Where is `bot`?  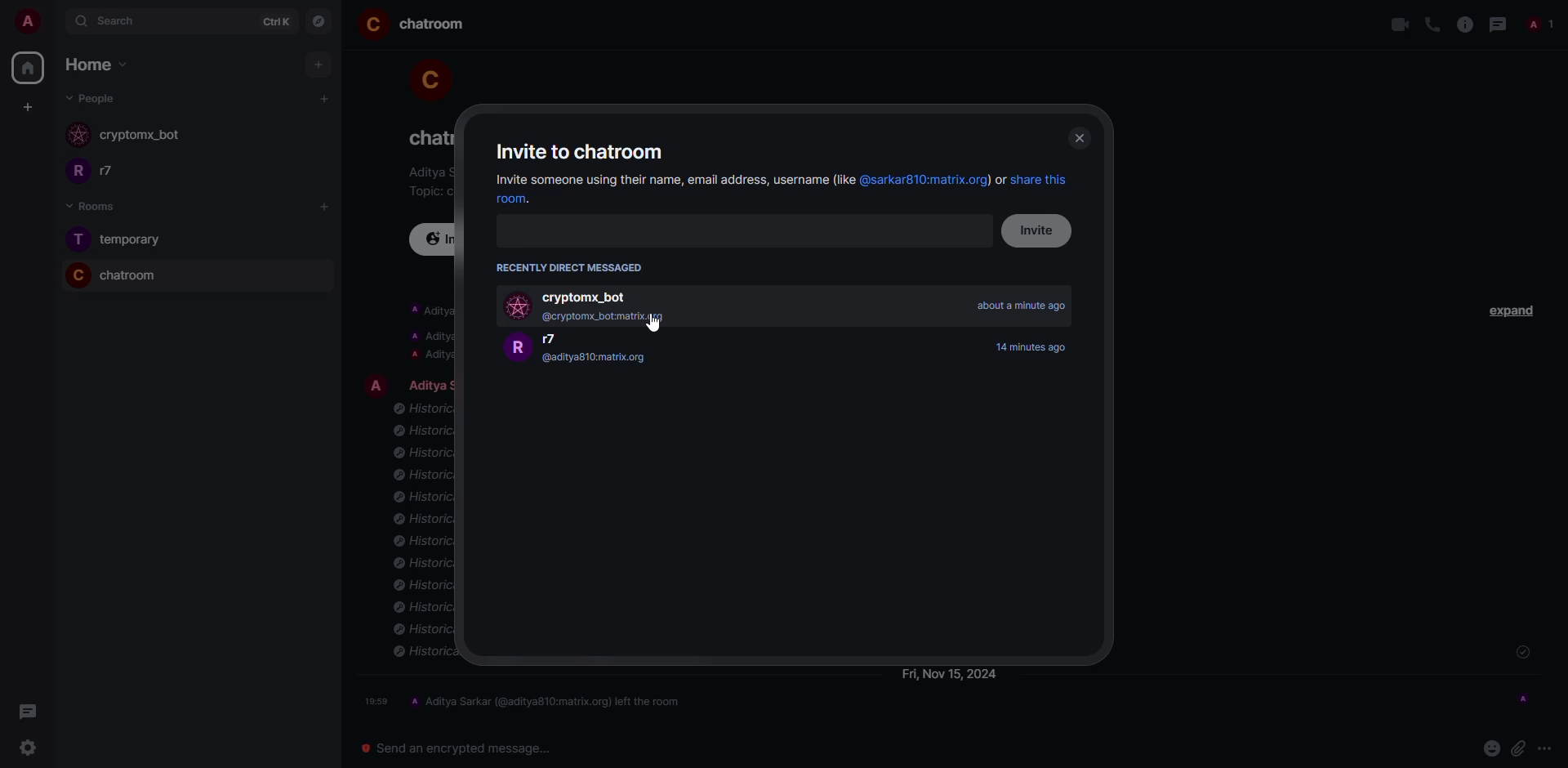
bot is located at coordinates (591, 296).